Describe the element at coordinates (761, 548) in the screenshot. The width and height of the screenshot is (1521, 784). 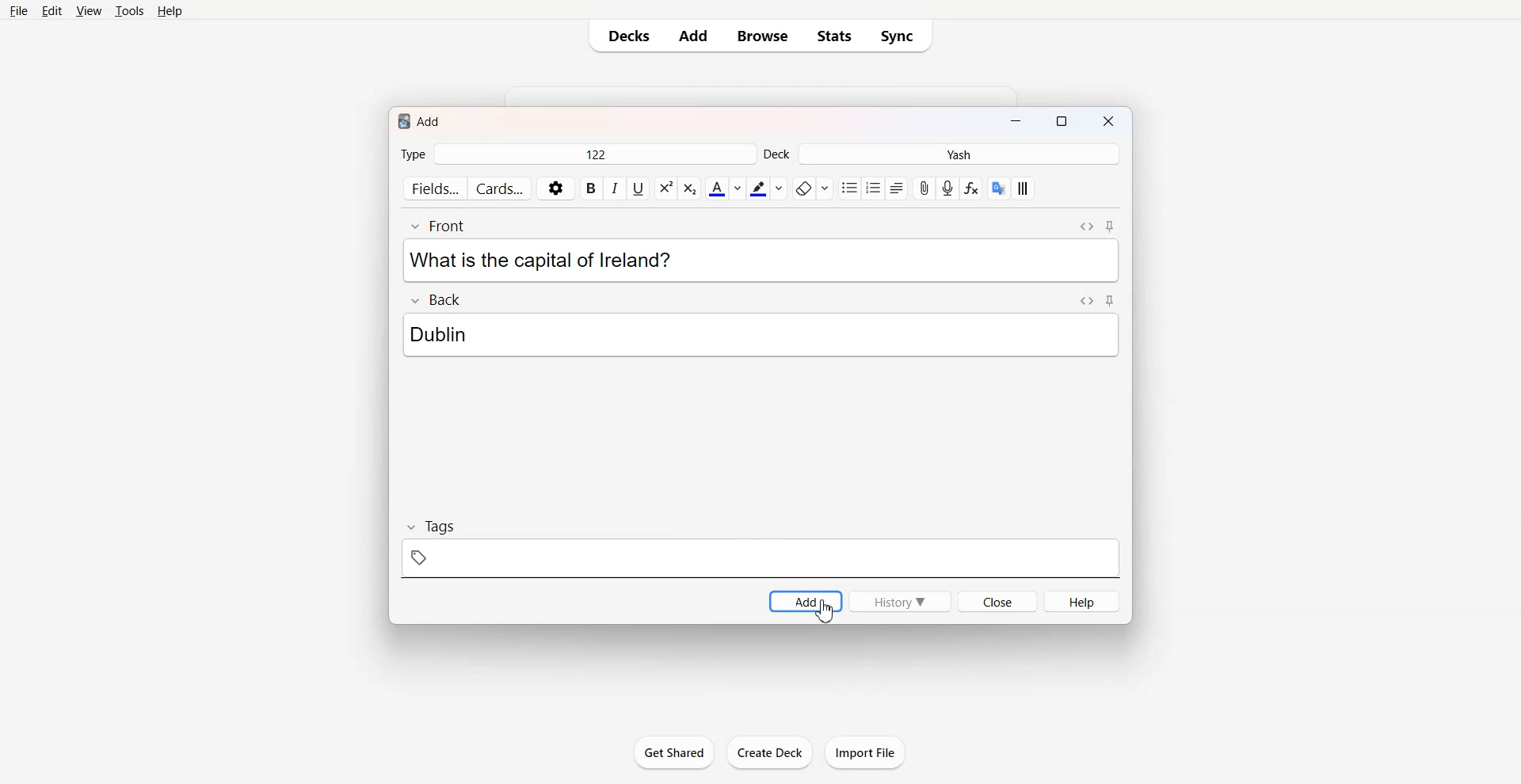
I see `Tags` at that location.